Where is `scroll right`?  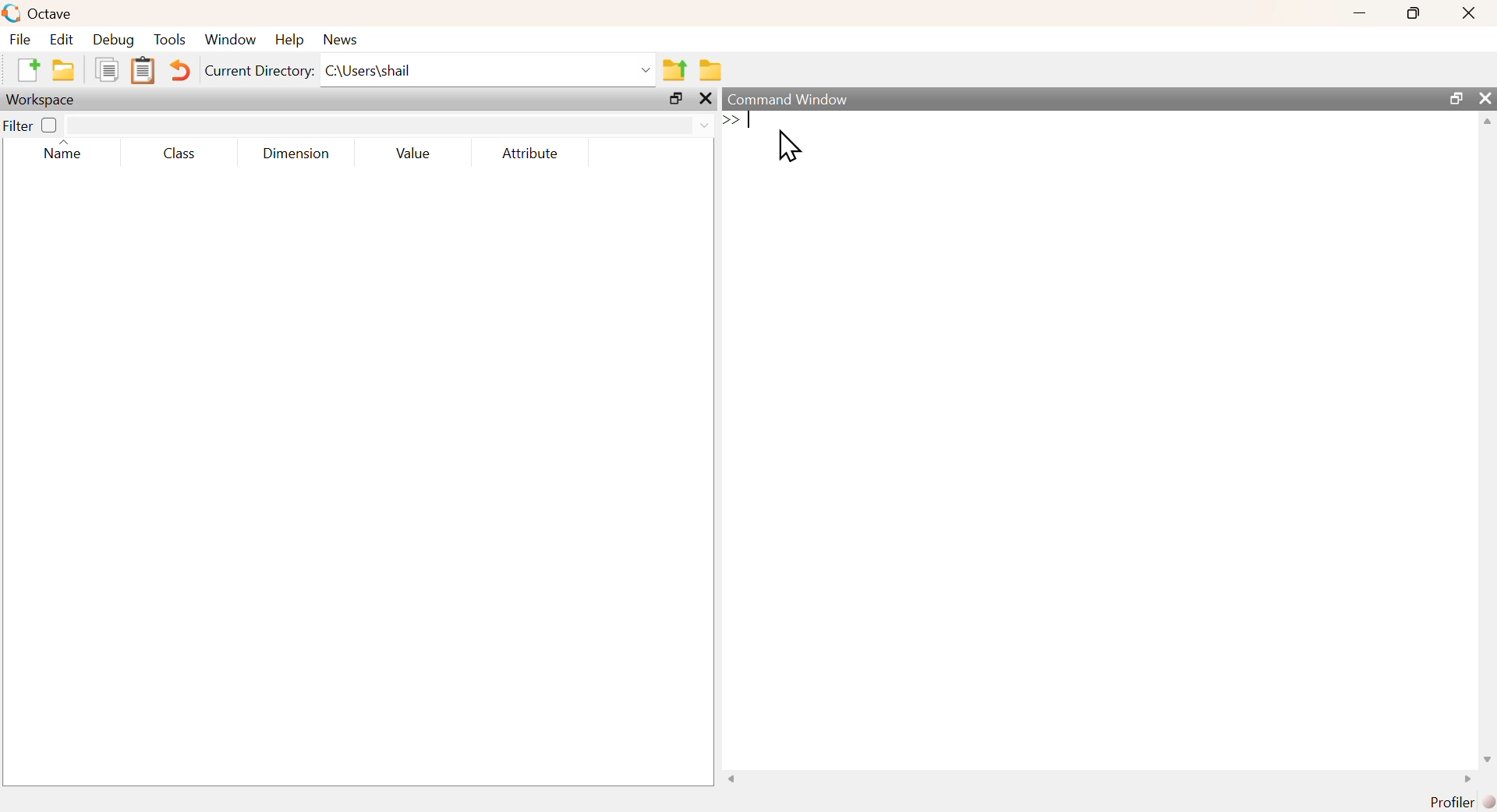 scroll right is located at coordinates (1464, 780).